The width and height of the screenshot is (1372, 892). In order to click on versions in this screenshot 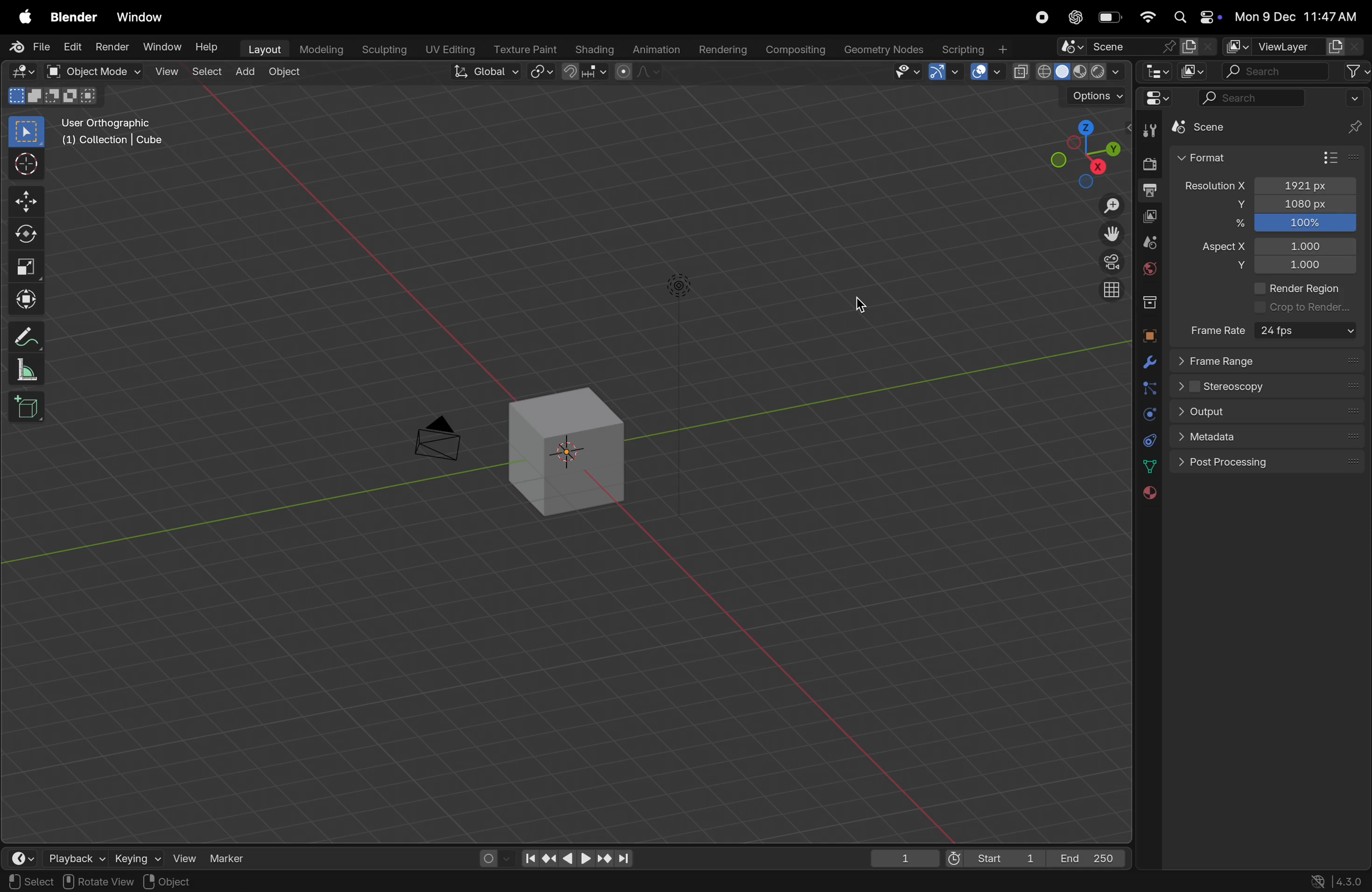, I will do `click(1337, 881)`.